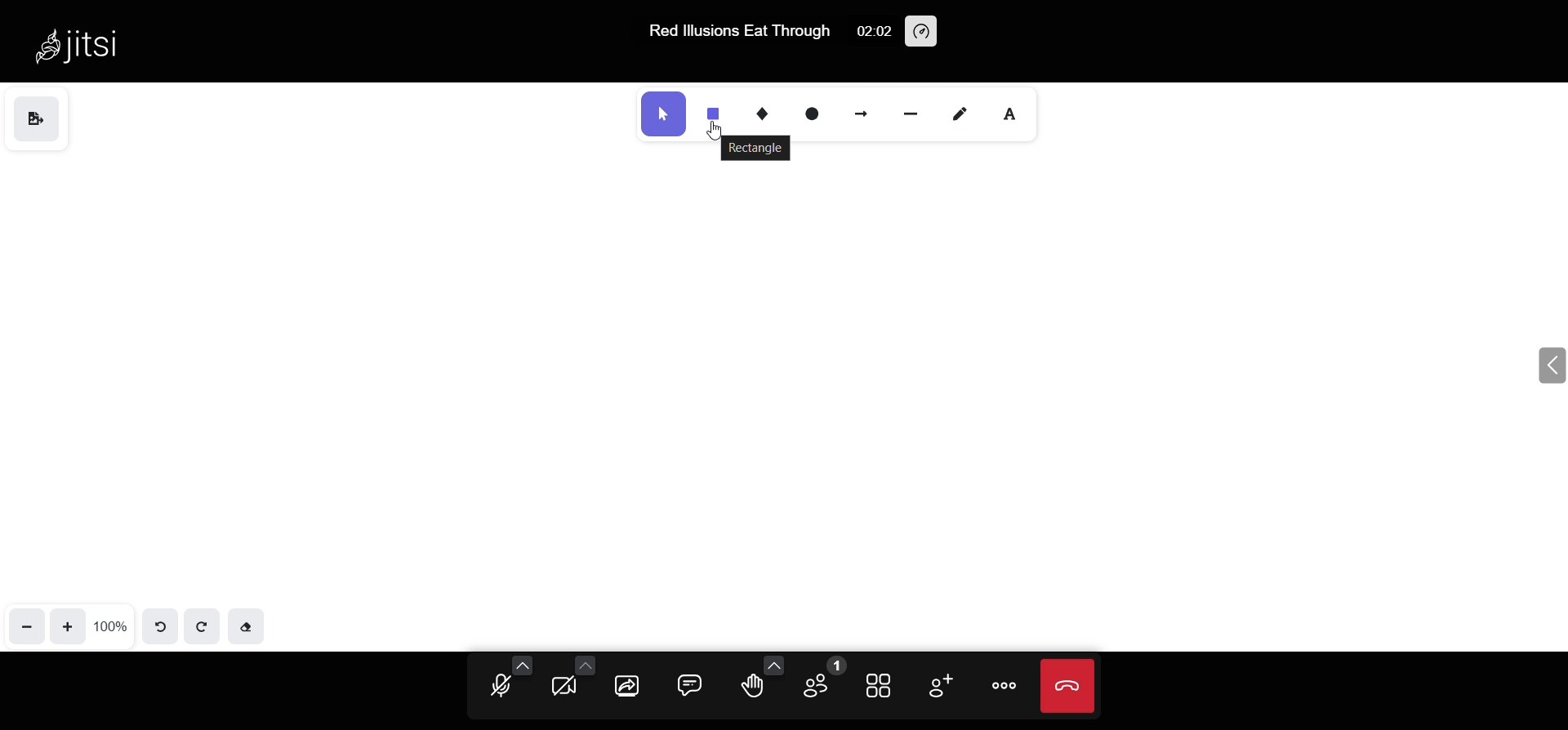 This screenshot has height=730, width=1568. I want to click on more emoji, so click(775, 664).